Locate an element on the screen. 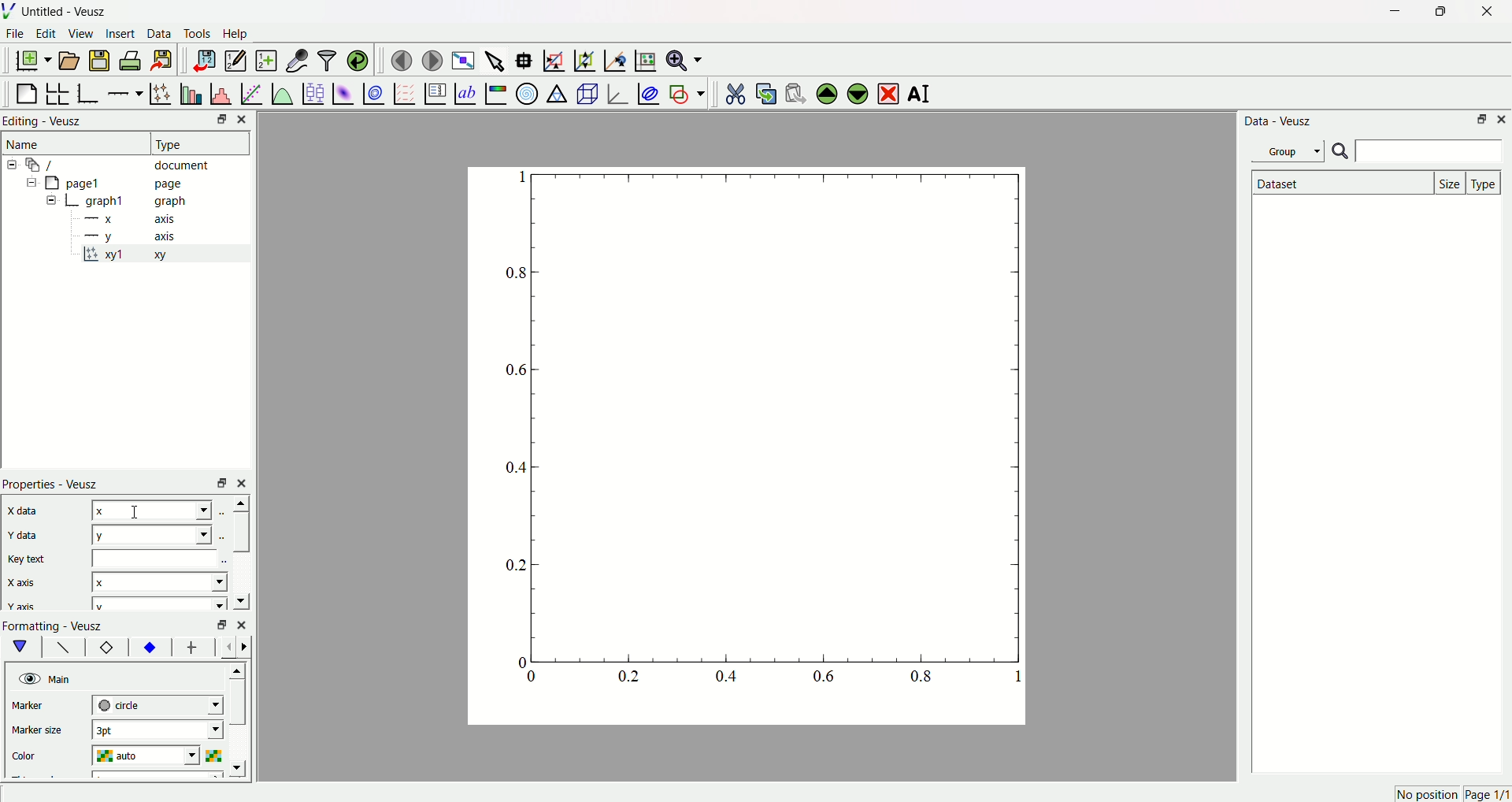 The width and height of the screenshot is (1512, 802). Formatting - Veusz is located at coordinates (61, 626).